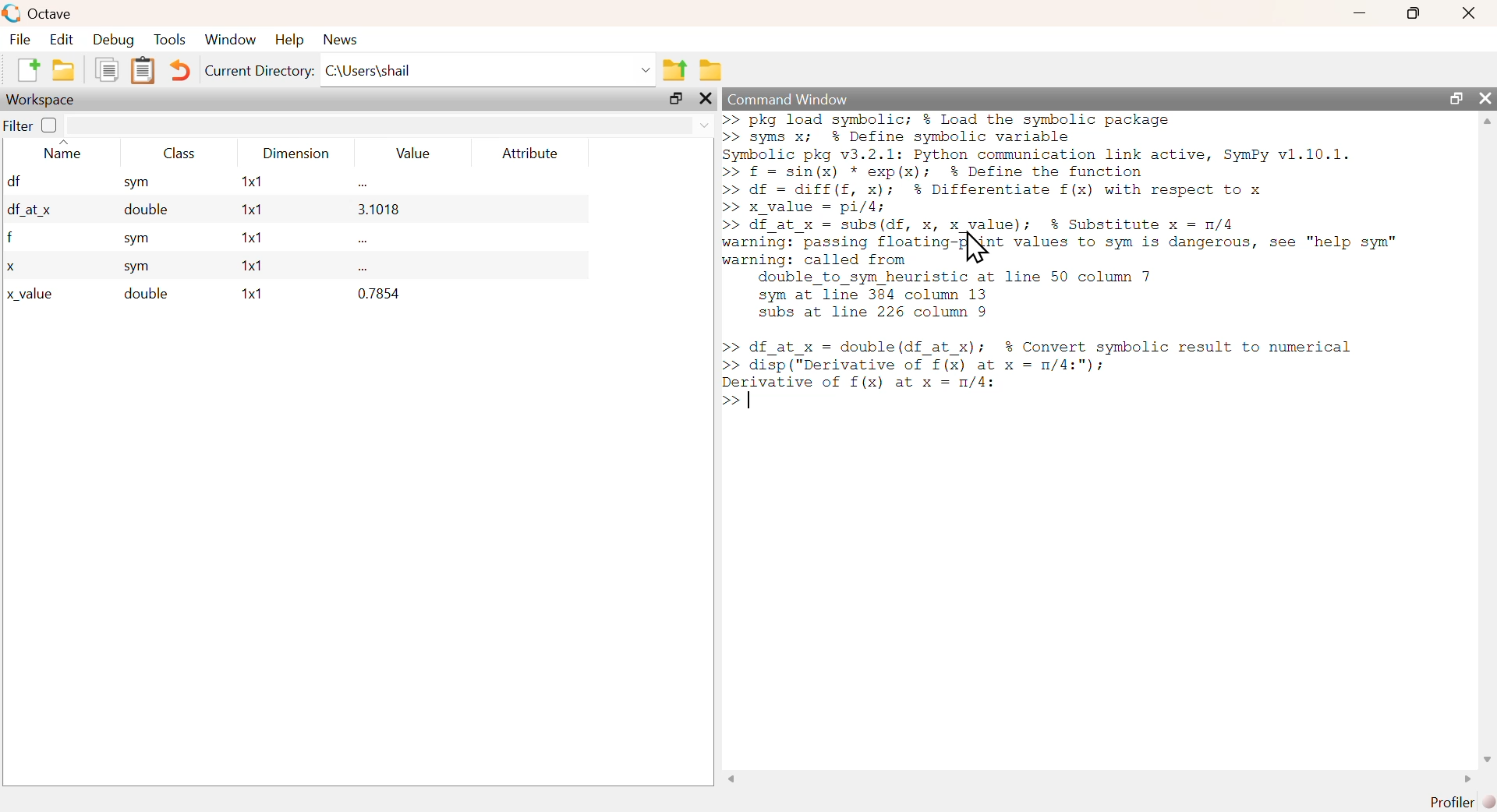 The image size is (1497, 812). I want to click on Cursor, so click(973, 246).